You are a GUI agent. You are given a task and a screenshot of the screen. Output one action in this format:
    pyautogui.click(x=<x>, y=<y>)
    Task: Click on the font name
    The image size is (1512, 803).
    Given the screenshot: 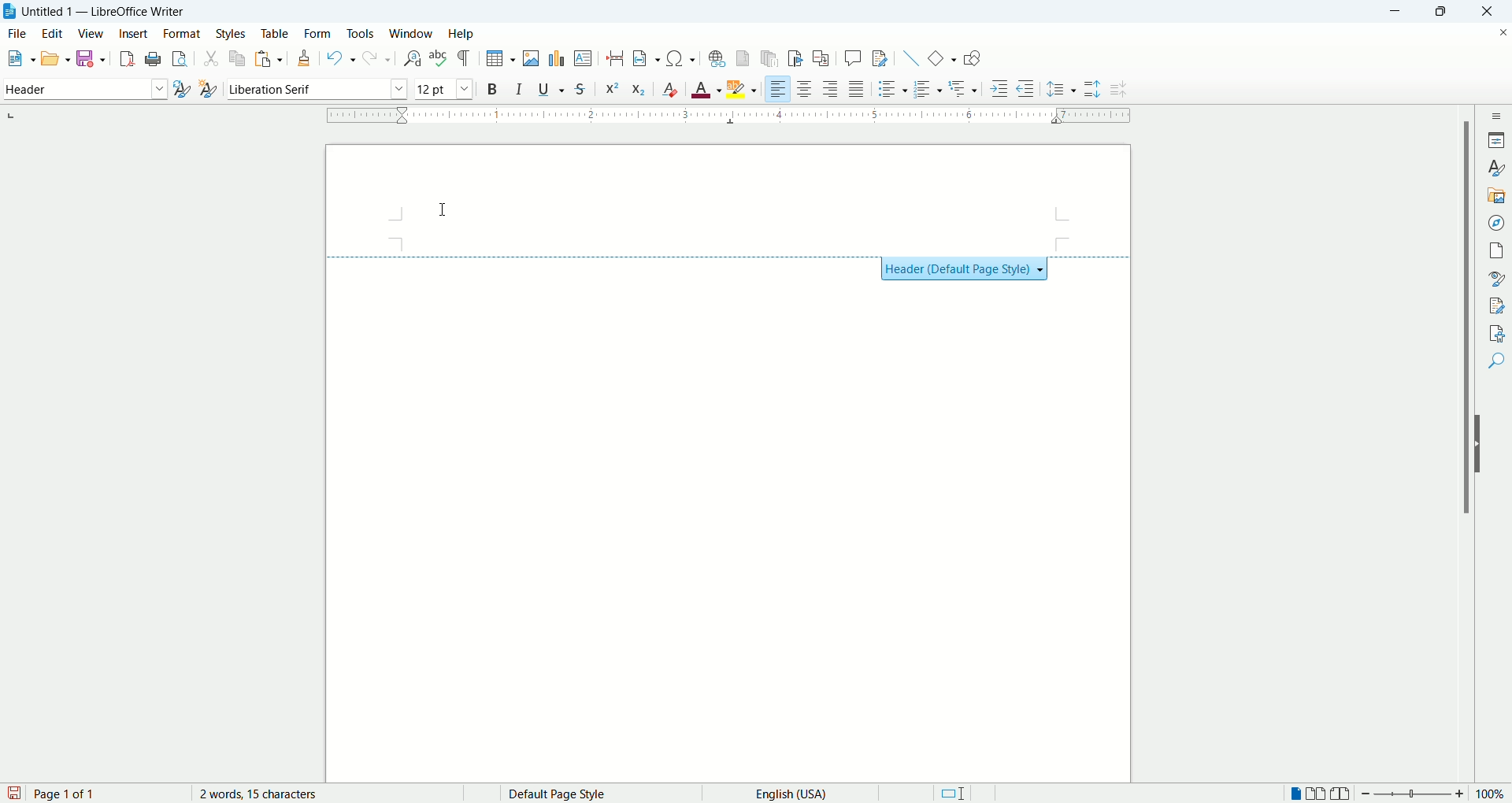 What is the action you would take?
    pyautogui.click(x=317, y=90)
    